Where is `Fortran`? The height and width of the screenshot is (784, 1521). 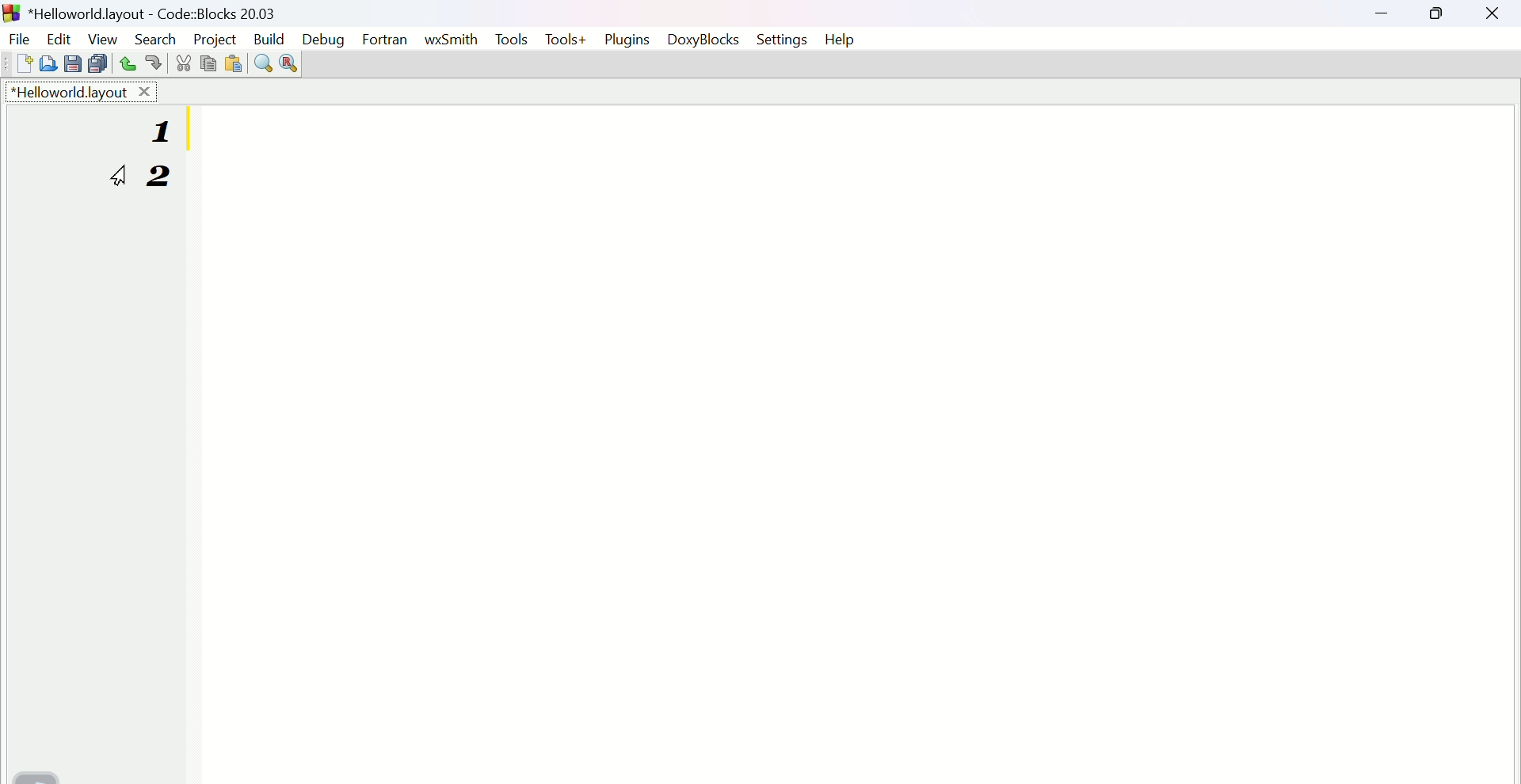
Fortran is located at coordinates (387, 41).